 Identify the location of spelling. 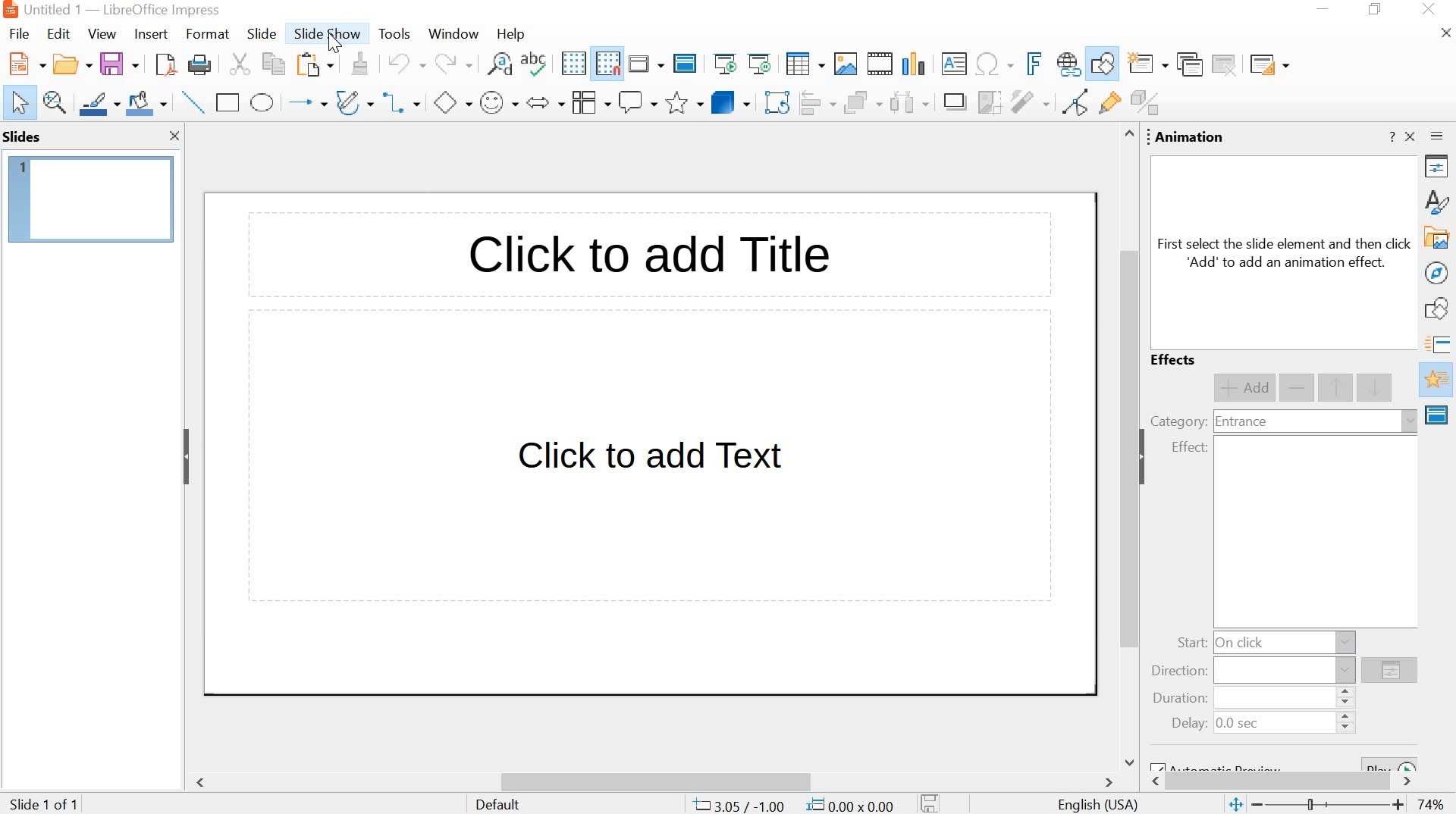
(538, 66).